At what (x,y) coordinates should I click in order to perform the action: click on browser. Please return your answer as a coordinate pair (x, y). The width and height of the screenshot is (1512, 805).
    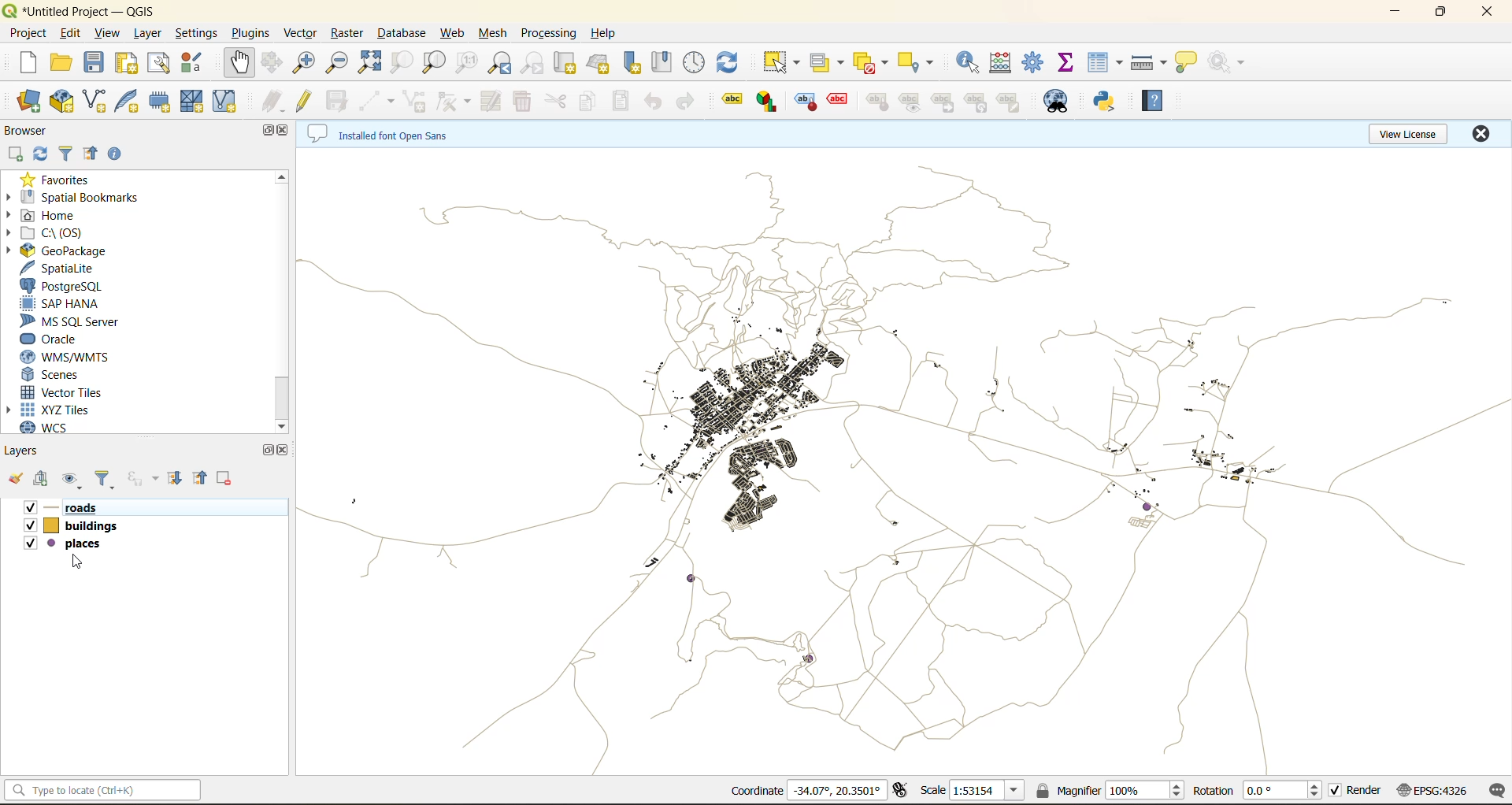
    Looking at the image, I should click on (38, 132).